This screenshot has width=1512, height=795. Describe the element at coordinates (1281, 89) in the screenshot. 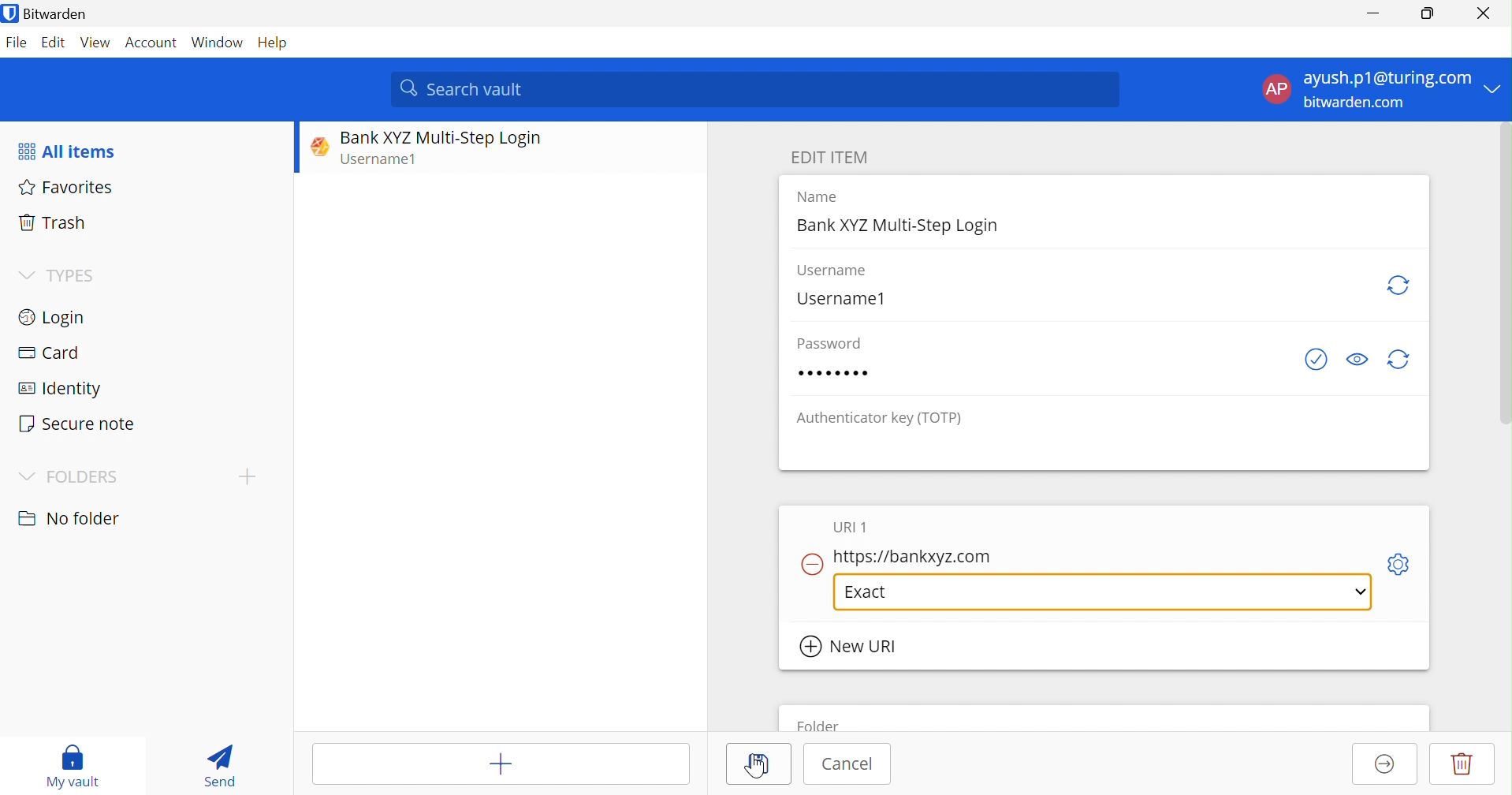

I see `AP` at that location.